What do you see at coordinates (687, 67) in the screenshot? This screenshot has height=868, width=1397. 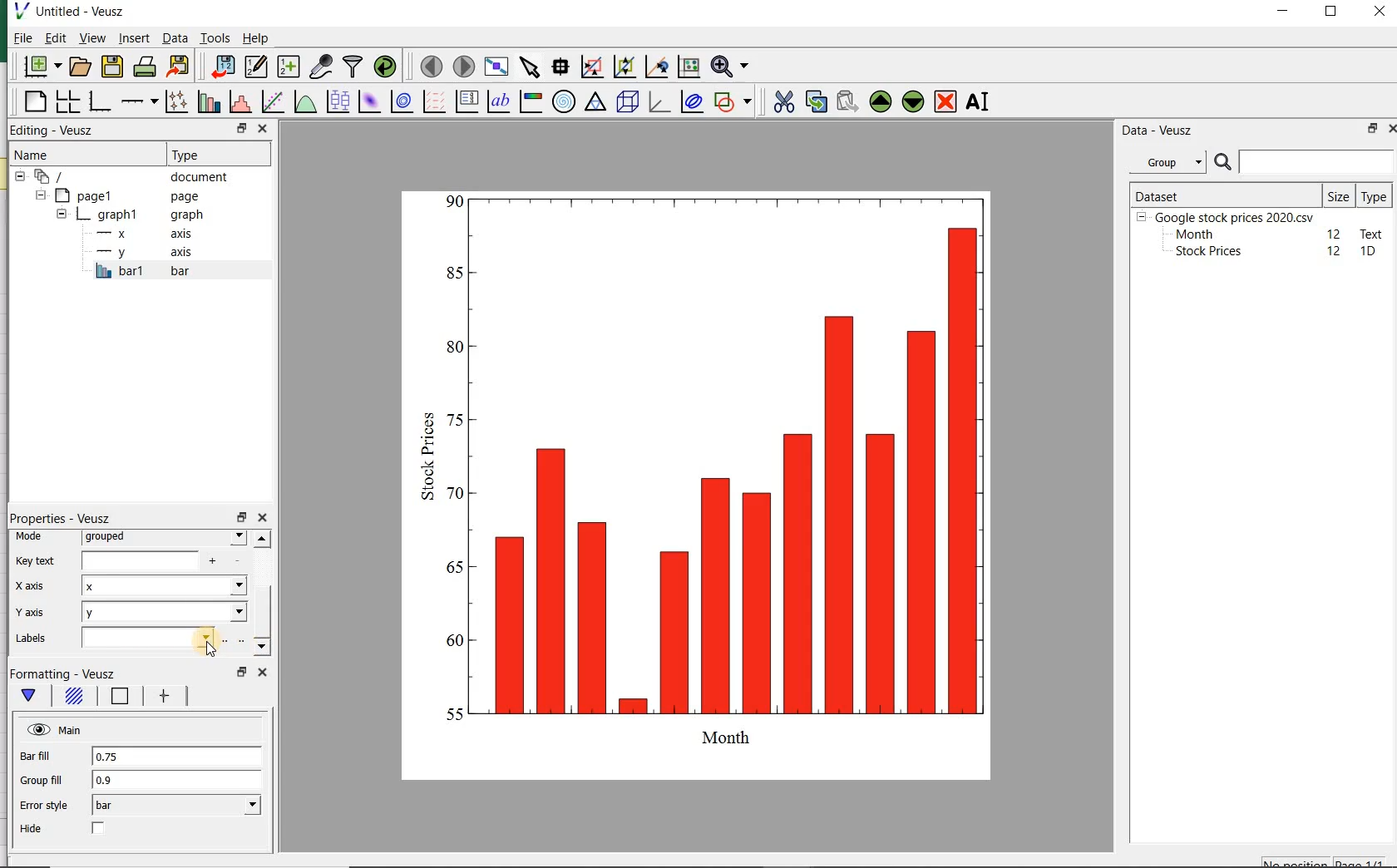 I see `click to reset graph axes` at bounding box center [687, 67].